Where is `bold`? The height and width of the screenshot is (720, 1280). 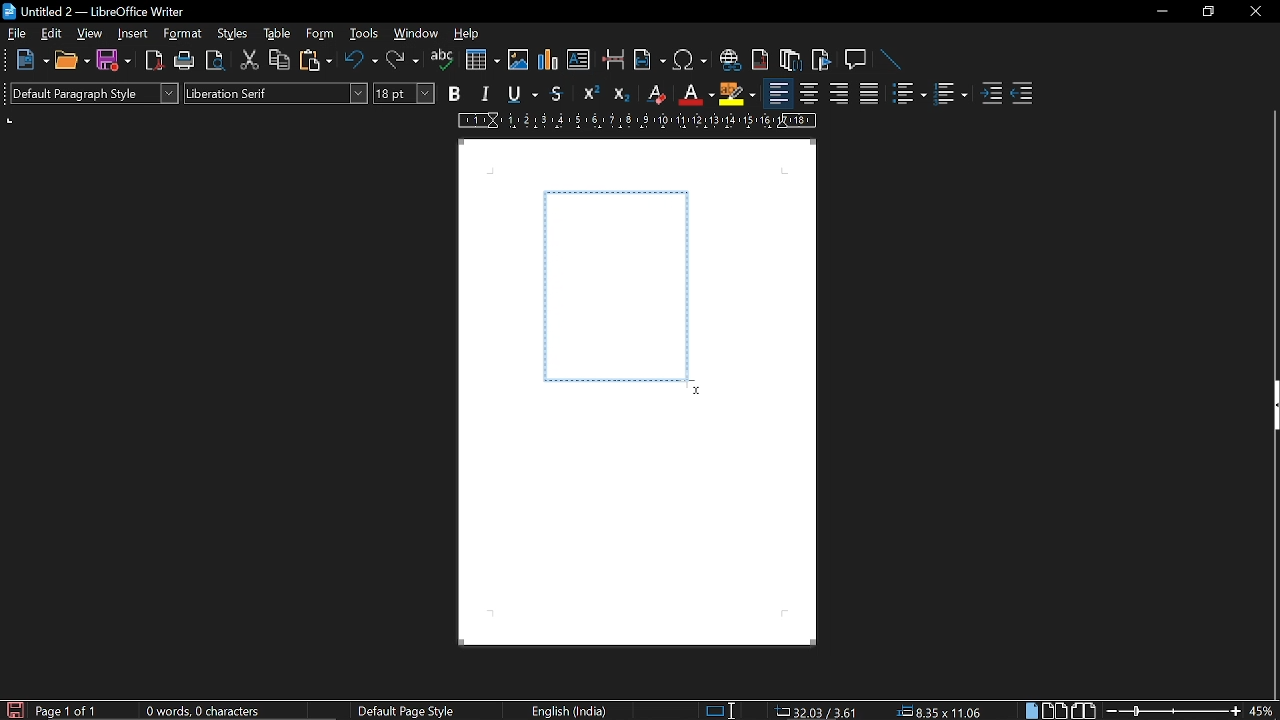 bold is located at coordinates (453, 94).